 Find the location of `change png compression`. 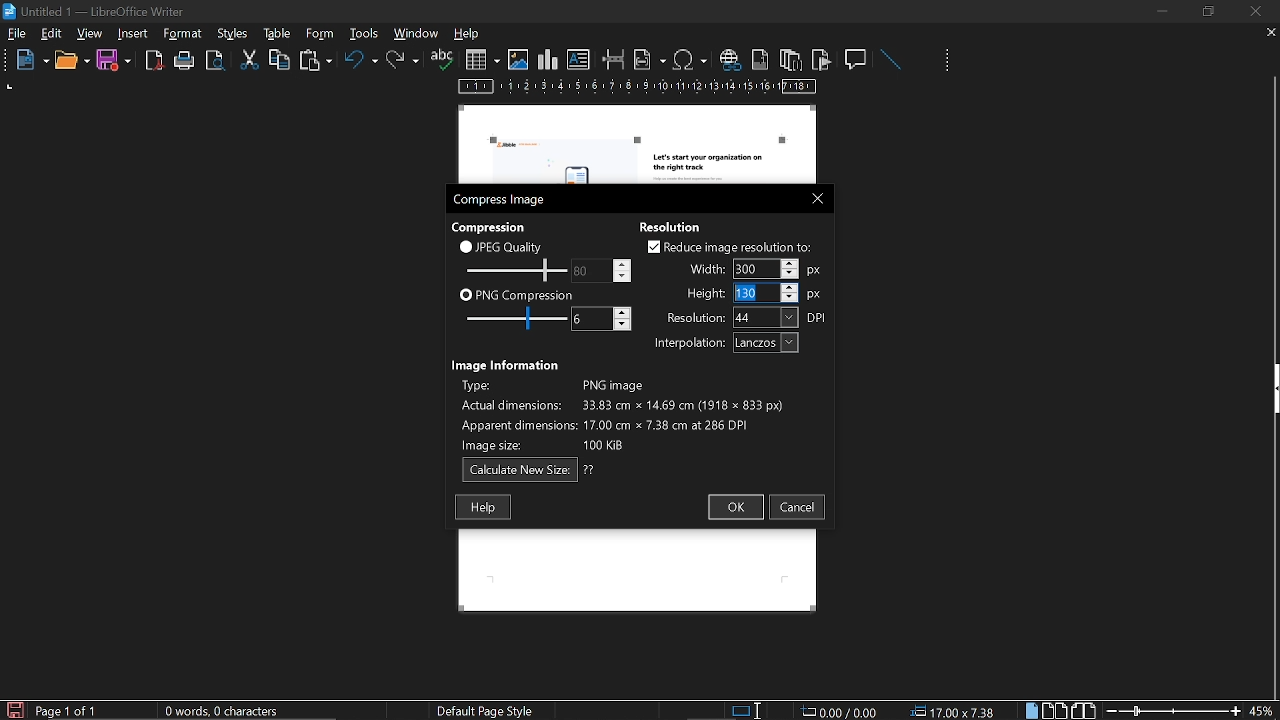

change png compression is located at coordinates (601, 319).